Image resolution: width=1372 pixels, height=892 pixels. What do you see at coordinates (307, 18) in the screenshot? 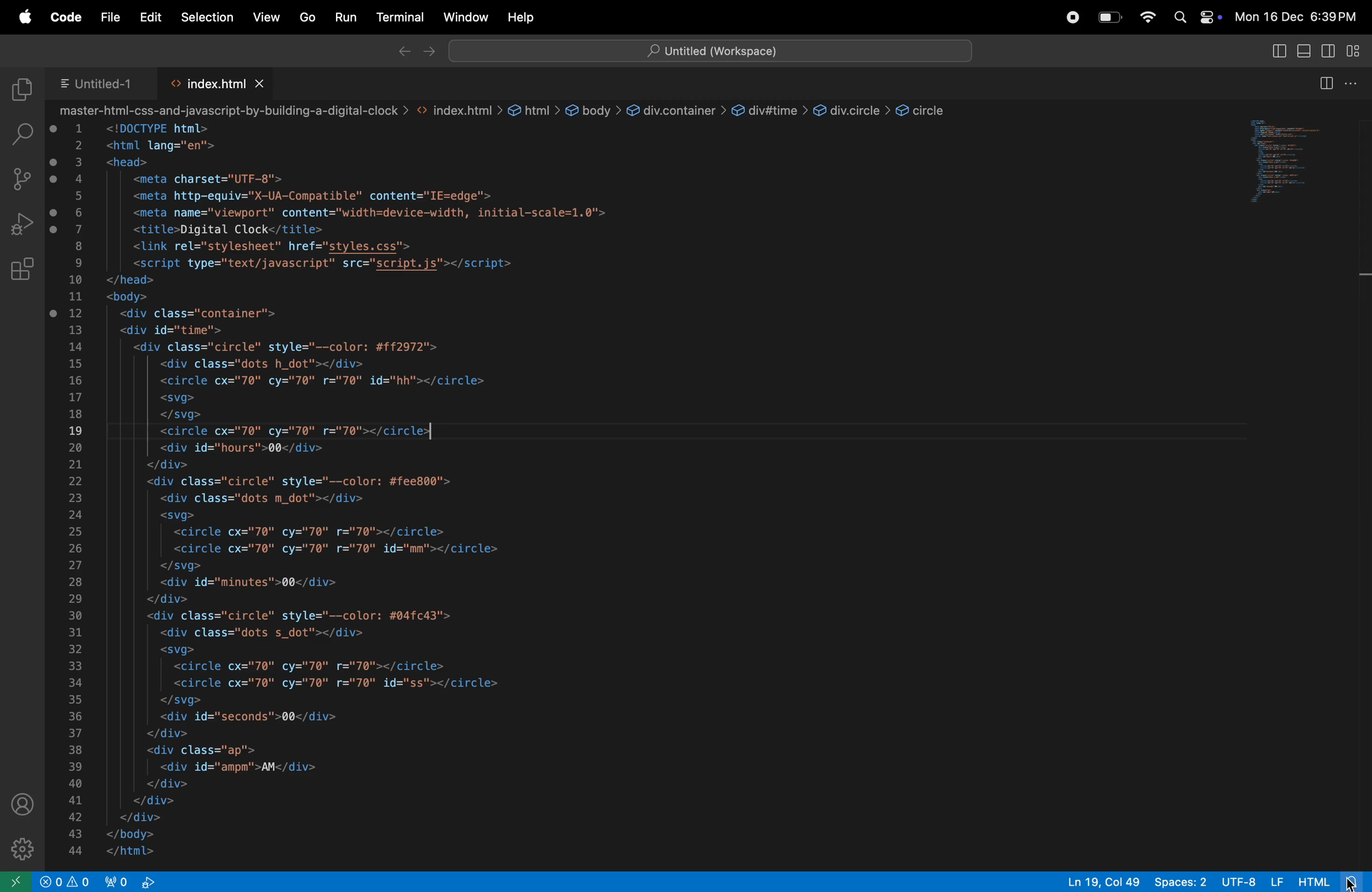
I see `Go` at bounding box center [307, 18].